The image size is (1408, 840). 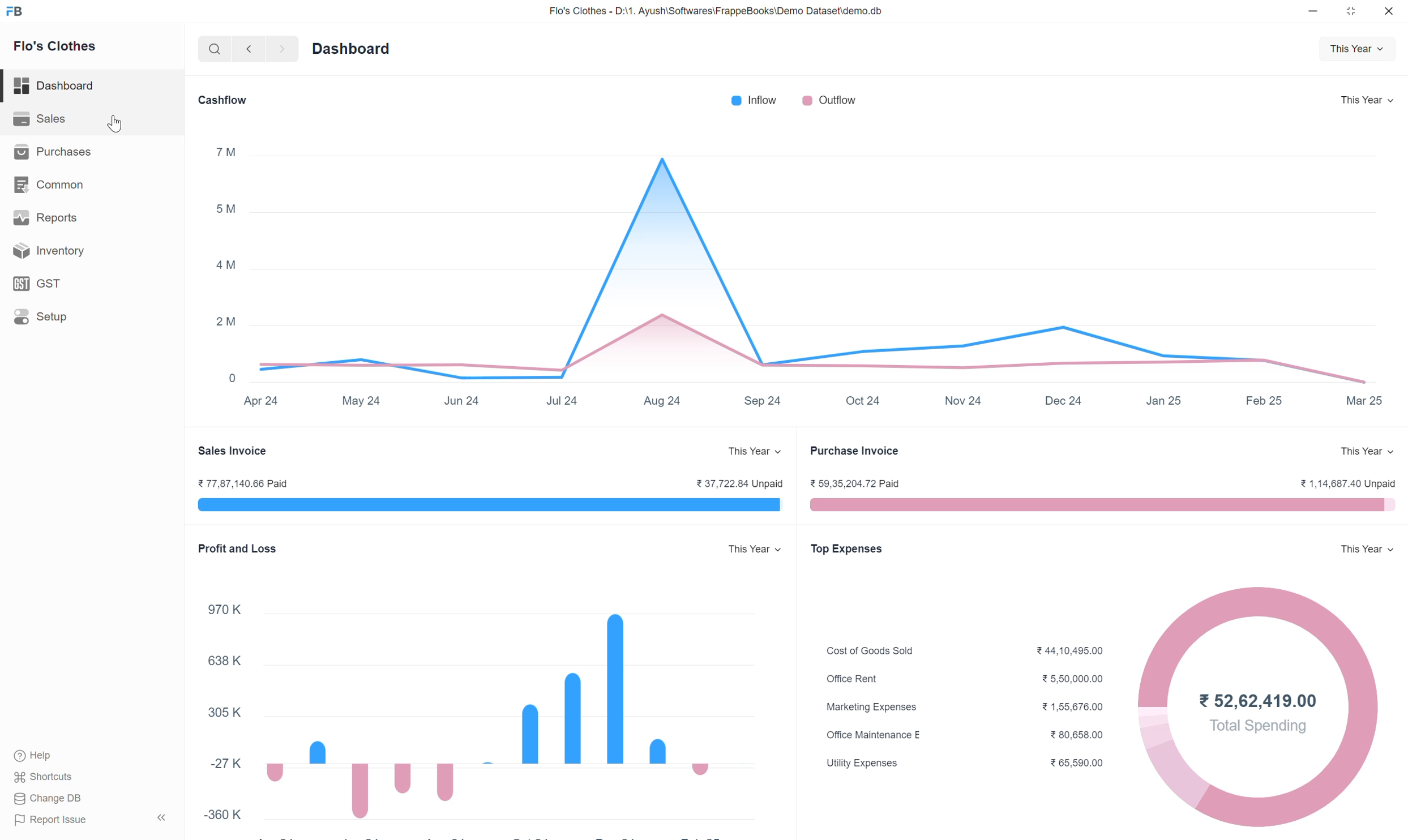 What do you see at coordinates (225, 816) in the screenshot?
I see `-360 K` at bounding box center [225, 816].